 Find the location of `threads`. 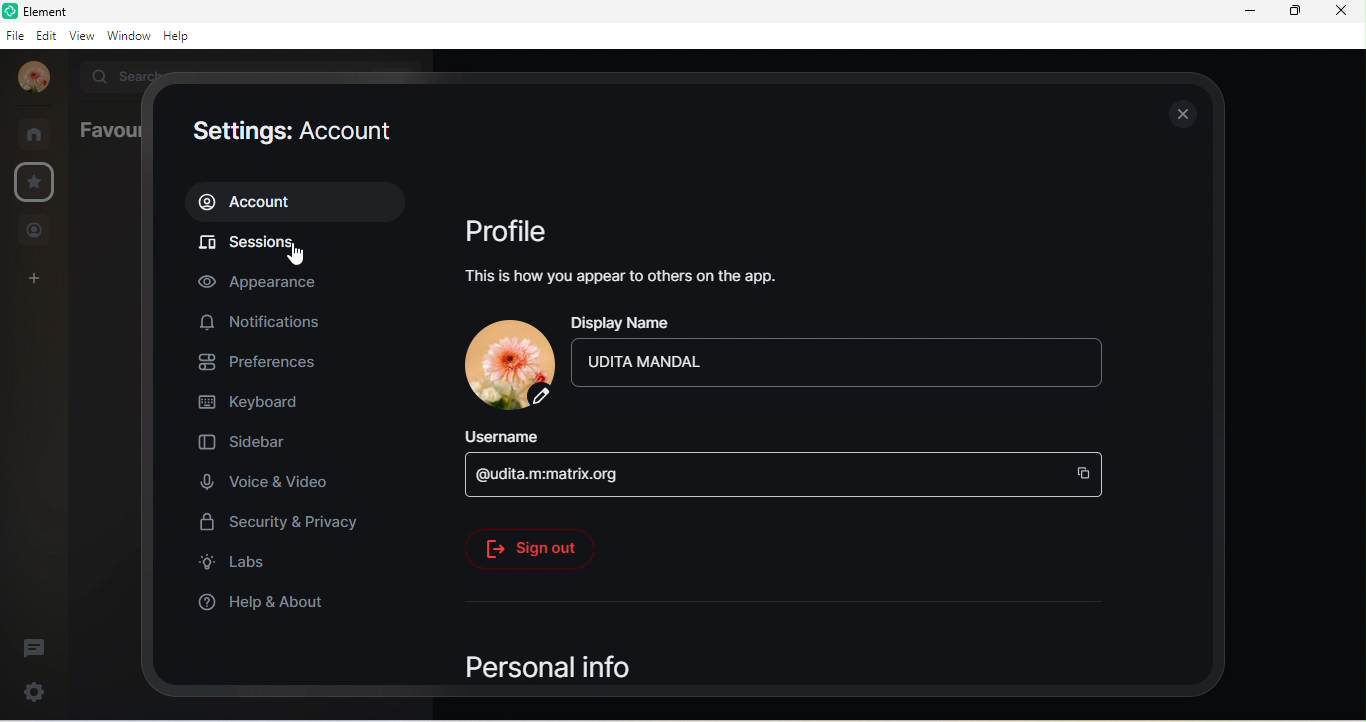

threads is located at coordinates (35, 649).